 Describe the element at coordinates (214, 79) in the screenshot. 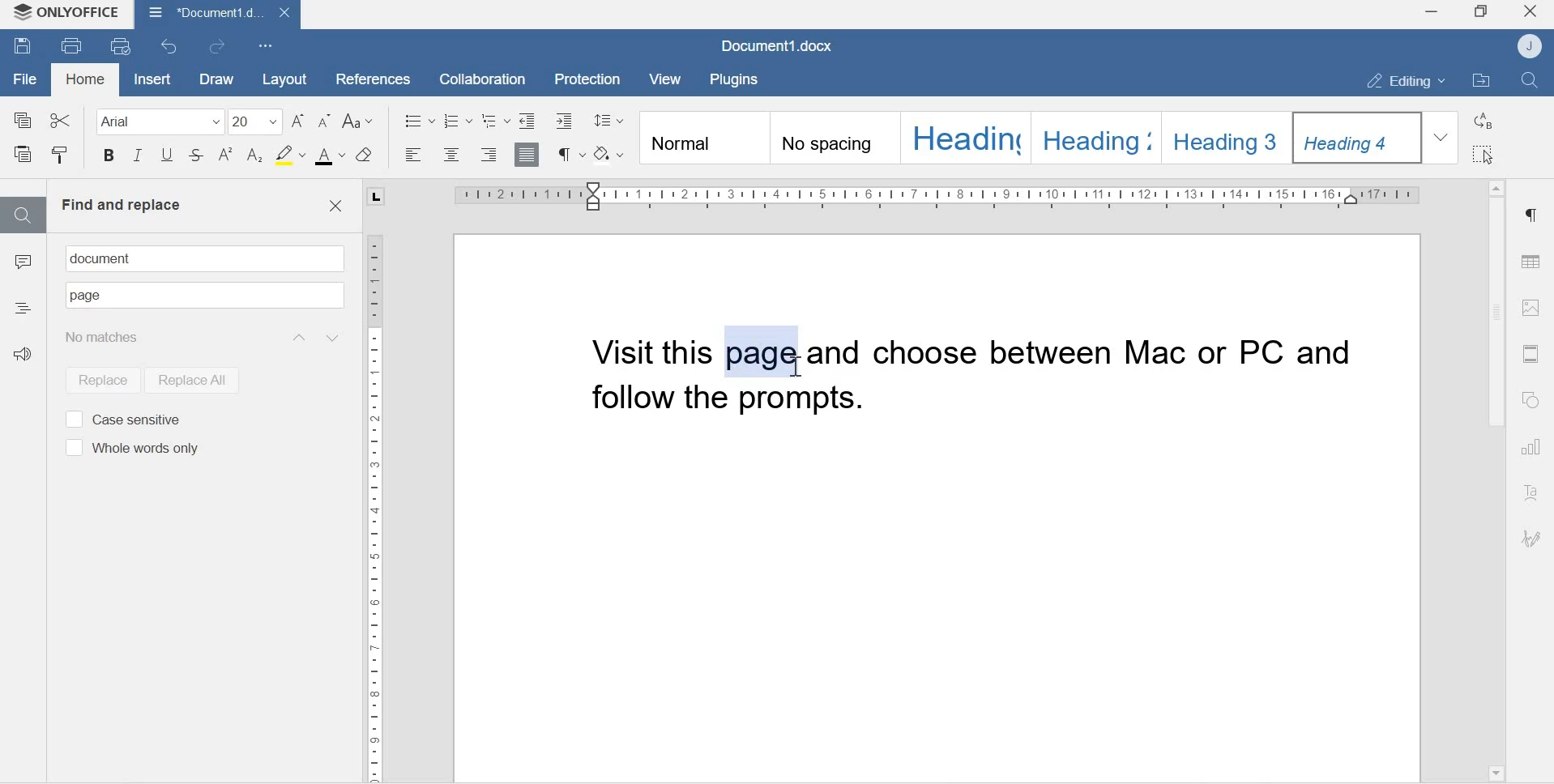

I see `Draw` at that location.